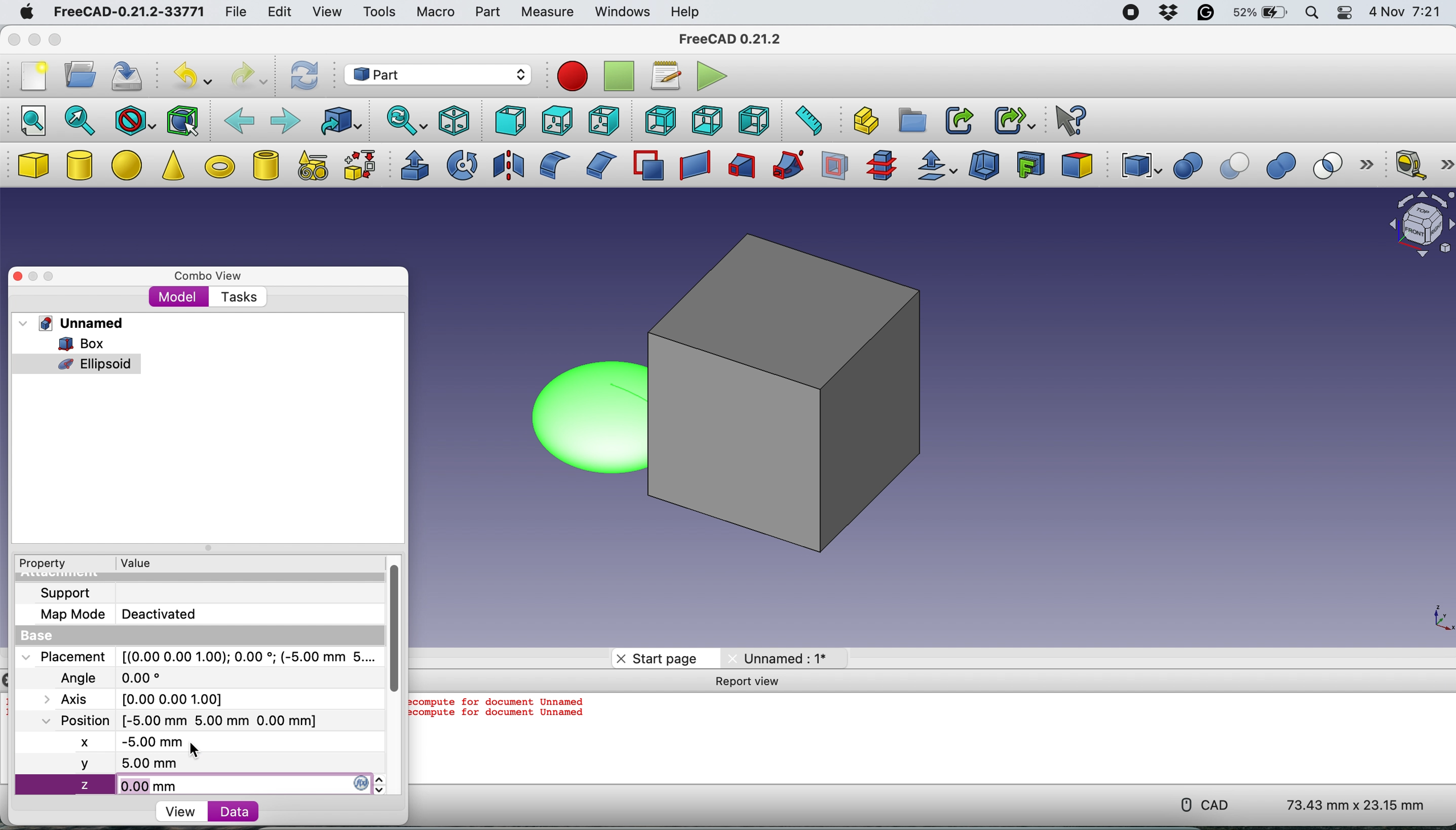  I want to click on xy coordinate, so click(1431, 616).